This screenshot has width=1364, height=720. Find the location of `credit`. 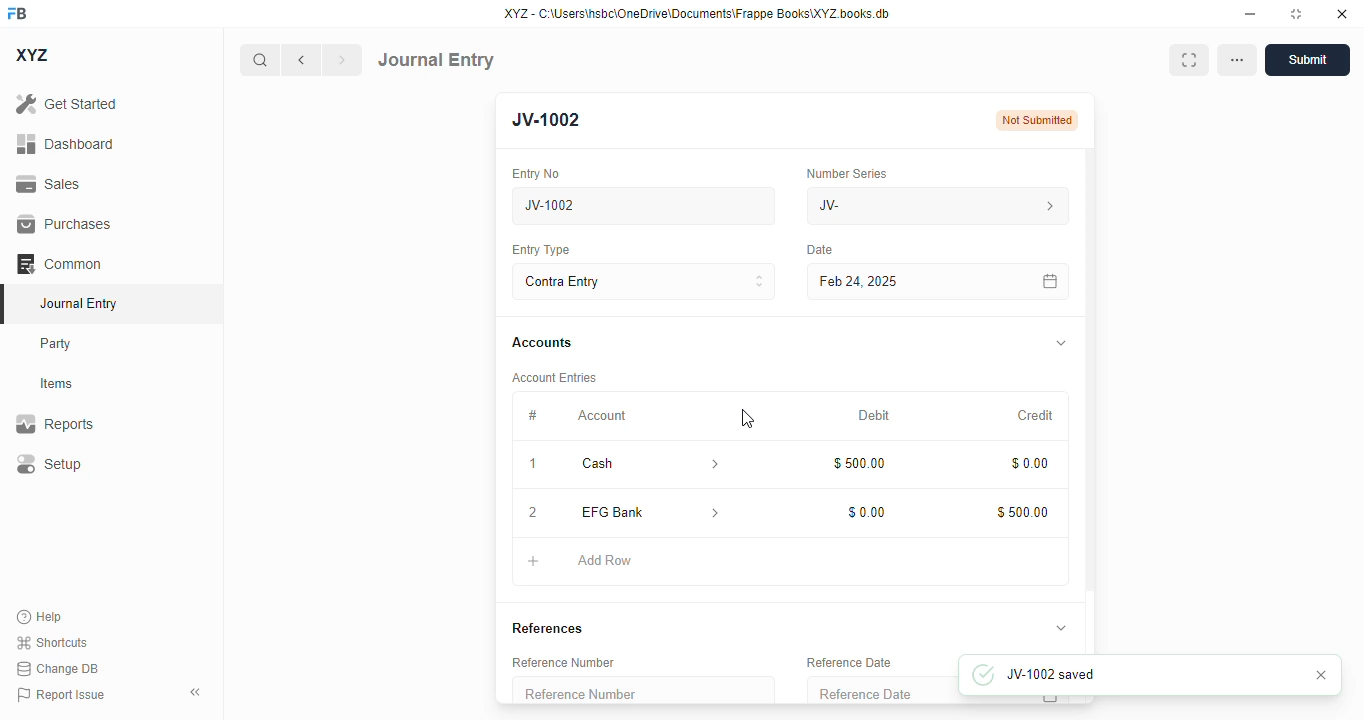

credit is located at coordinates (1037, 415).